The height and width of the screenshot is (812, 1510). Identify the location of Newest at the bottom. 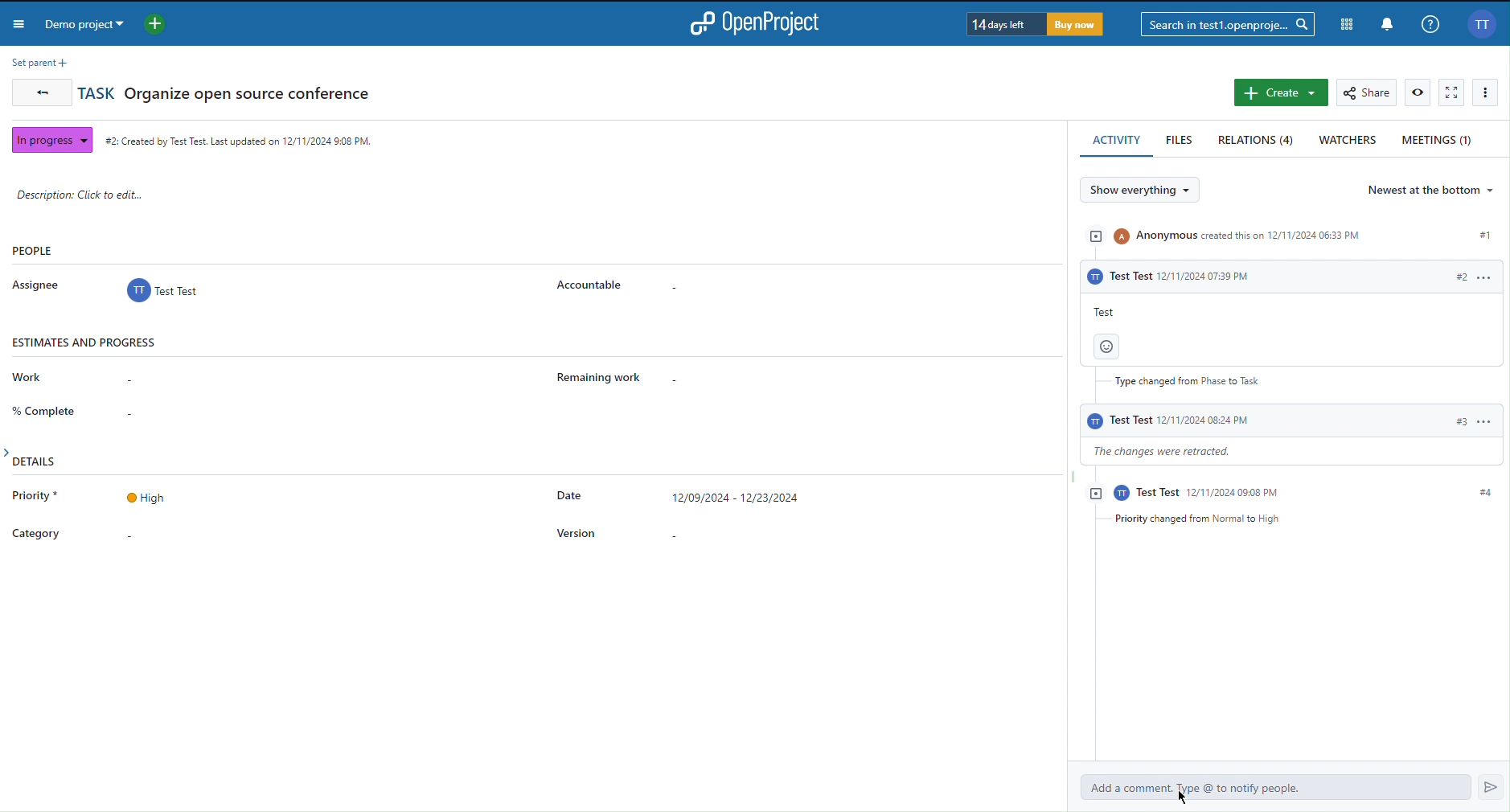
(1433, 190).